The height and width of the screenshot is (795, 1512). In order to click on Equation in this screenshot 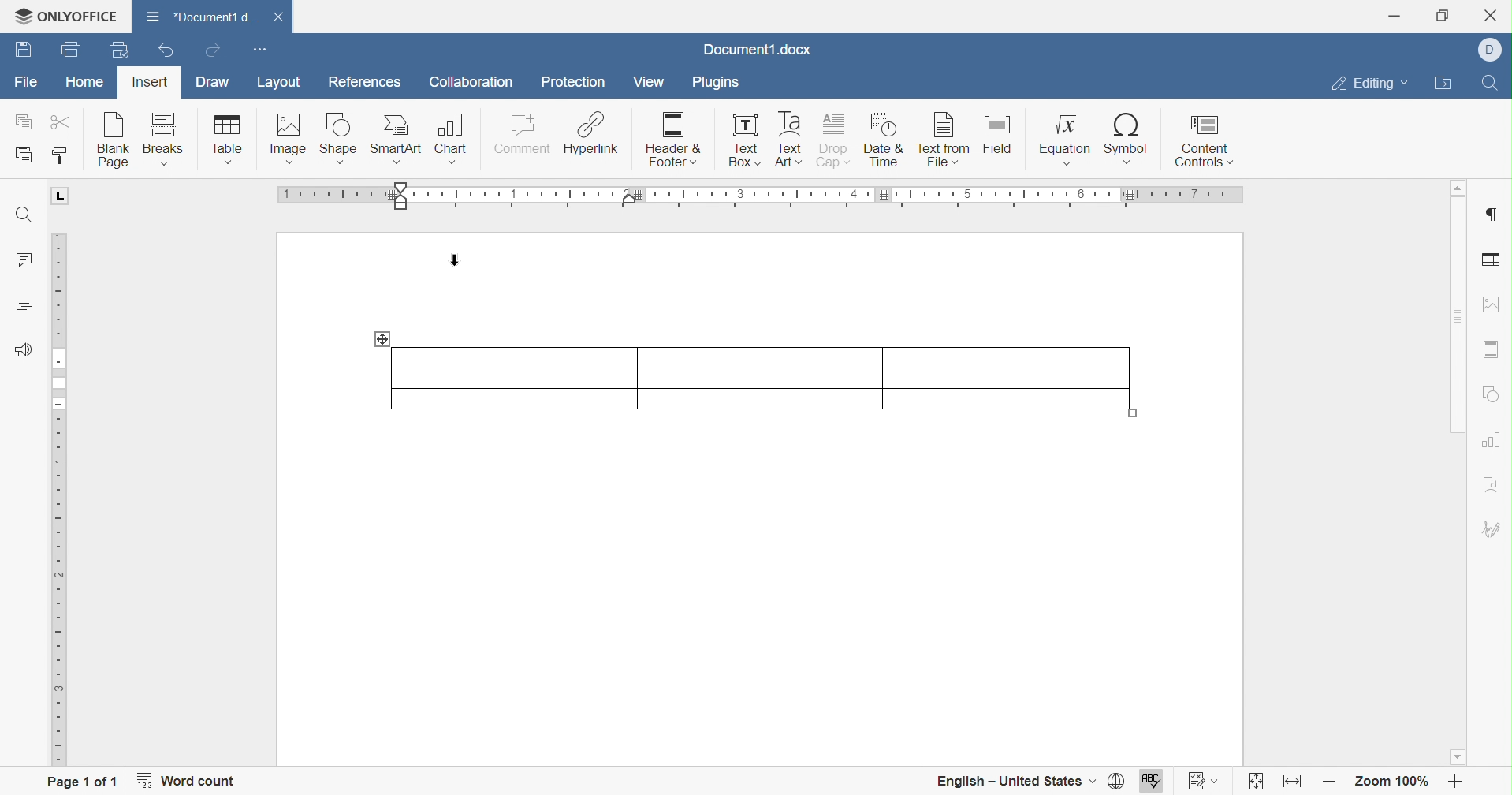, I will do `click(1063, 140)`.